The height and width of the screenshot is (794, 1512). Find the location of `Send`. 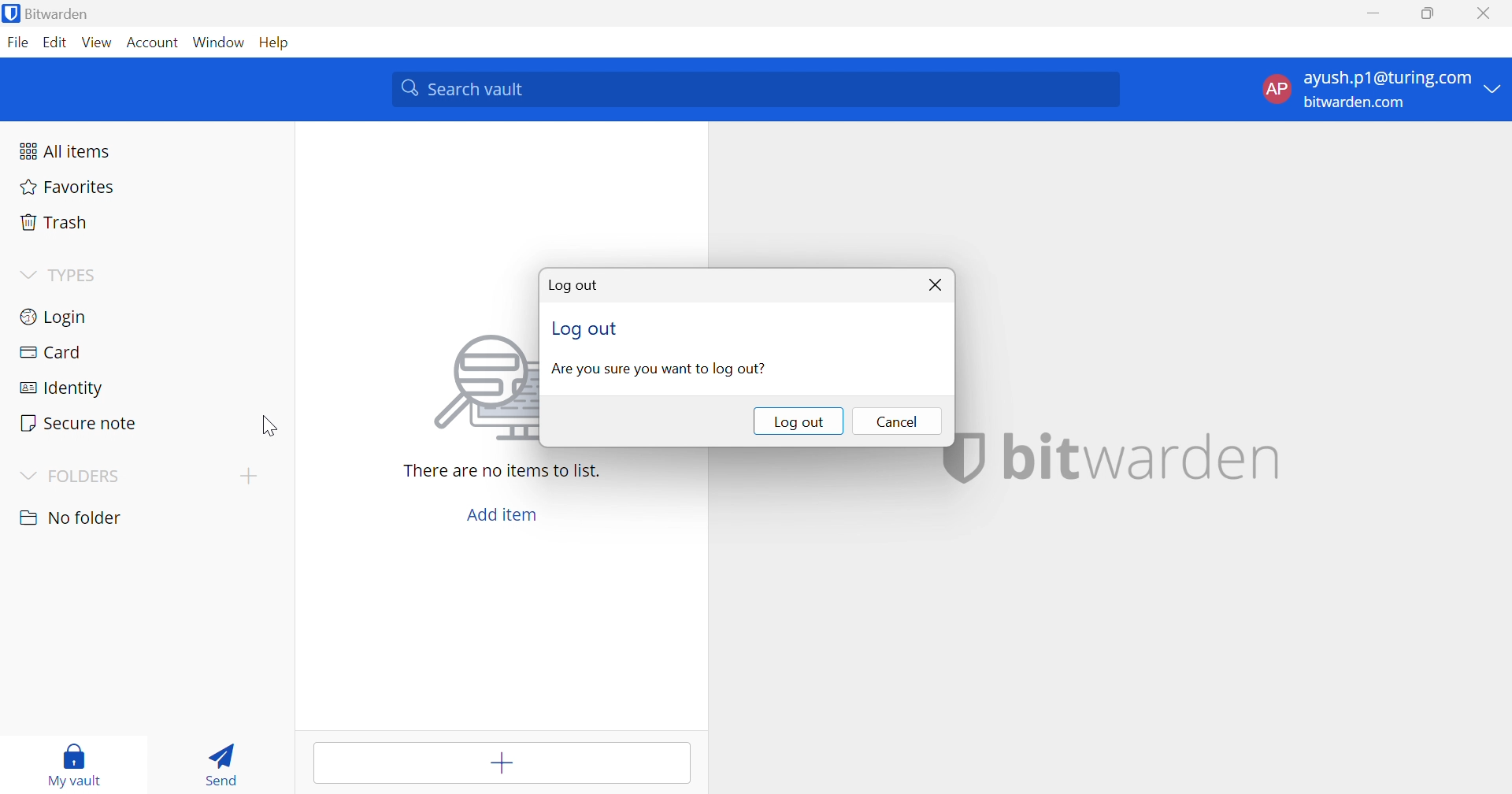

Send is located at coordinates (220, 762).